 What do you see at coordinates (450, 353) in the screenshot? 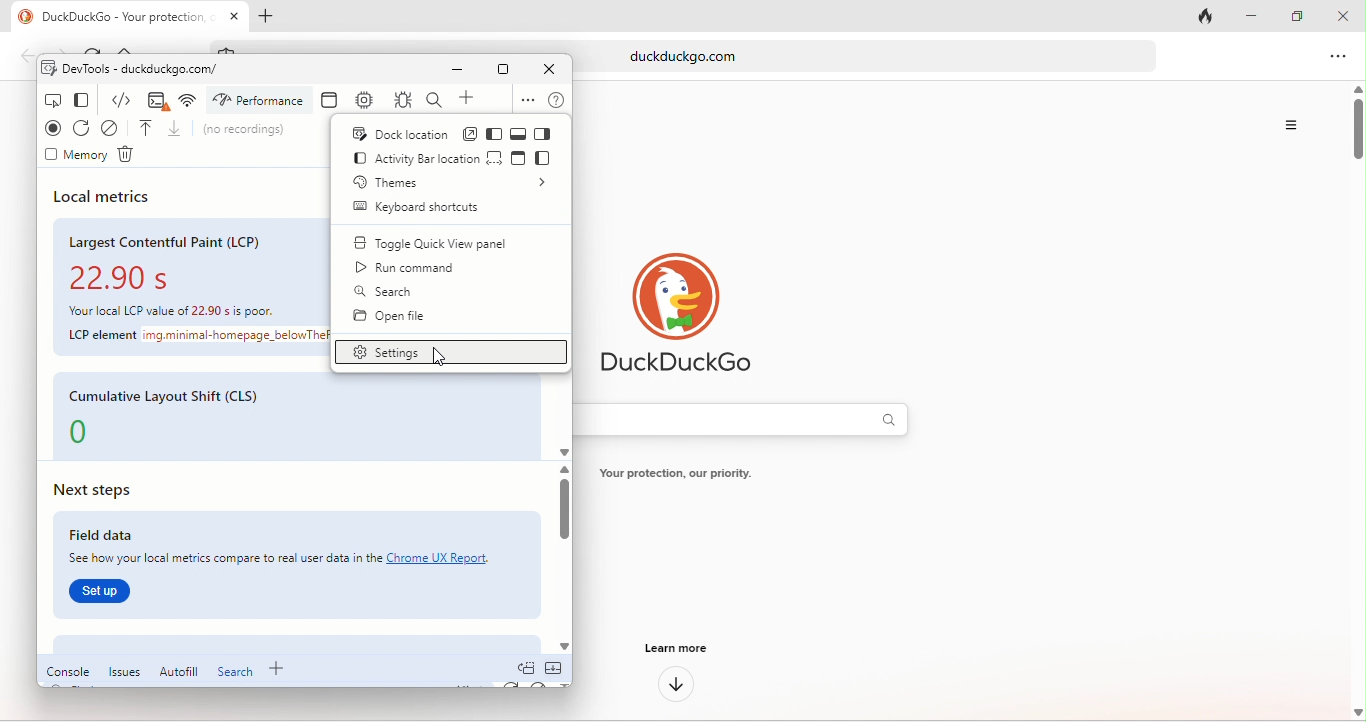
I see `settings` at bounding box center [450, 353].